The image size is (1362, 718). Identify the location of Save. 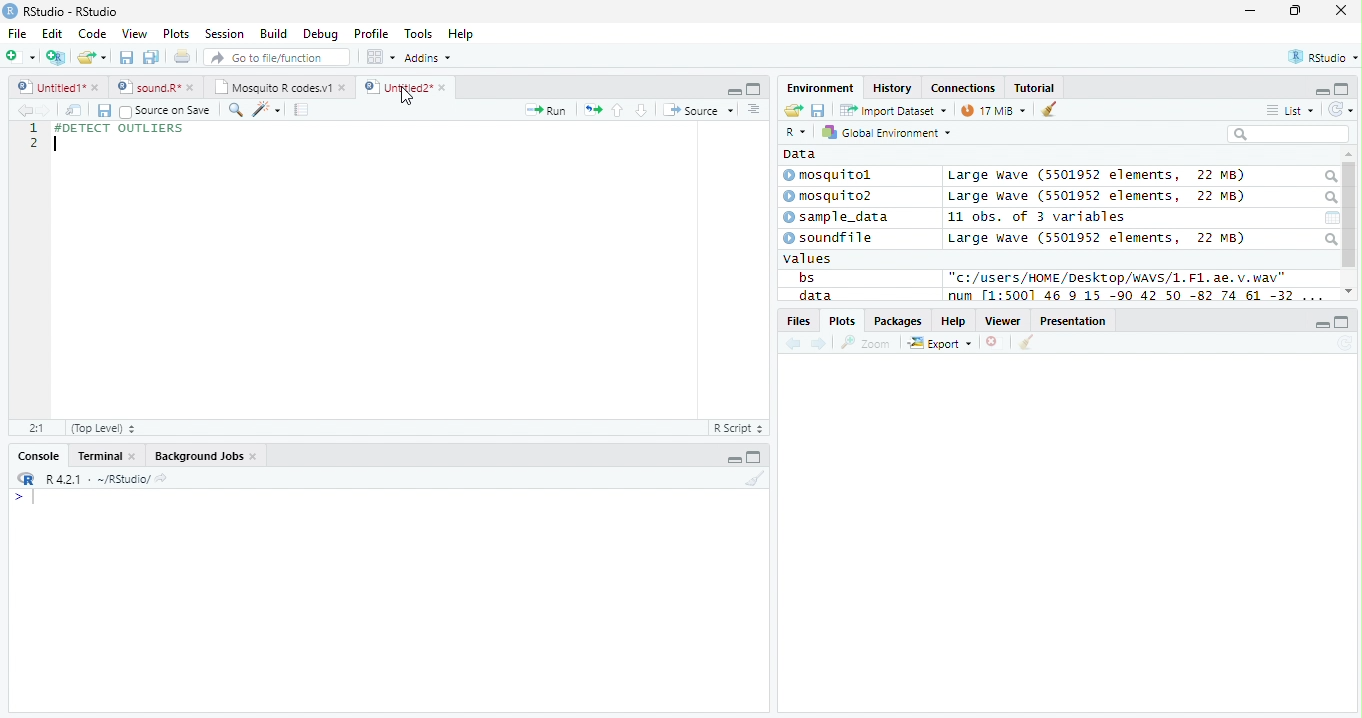
(103, 111).